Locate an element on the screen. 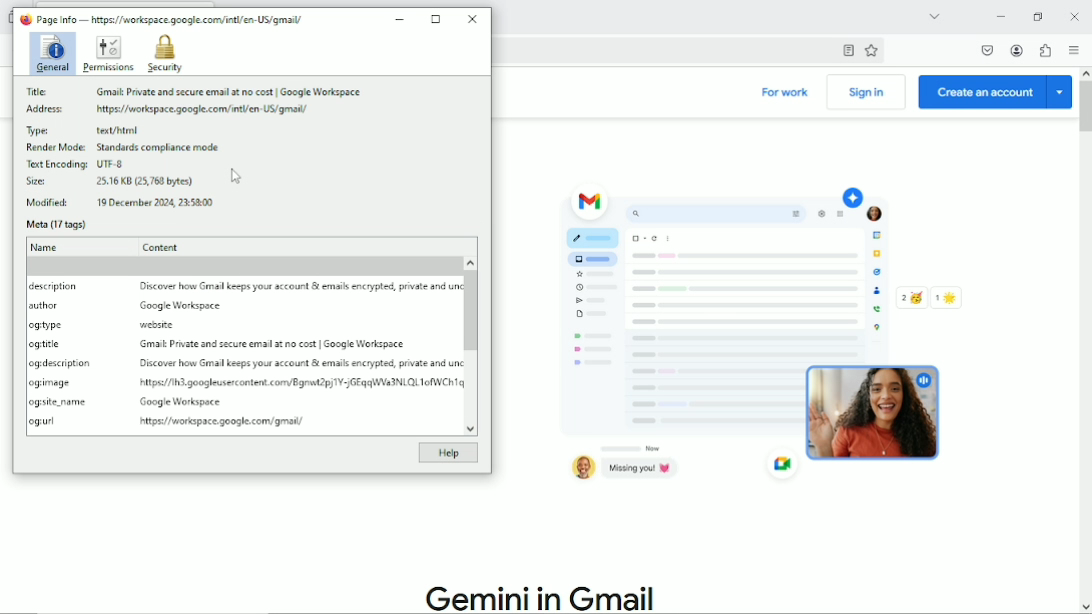 This screenshot has width=1092, height=614. author is located at coordinates (44, 306).